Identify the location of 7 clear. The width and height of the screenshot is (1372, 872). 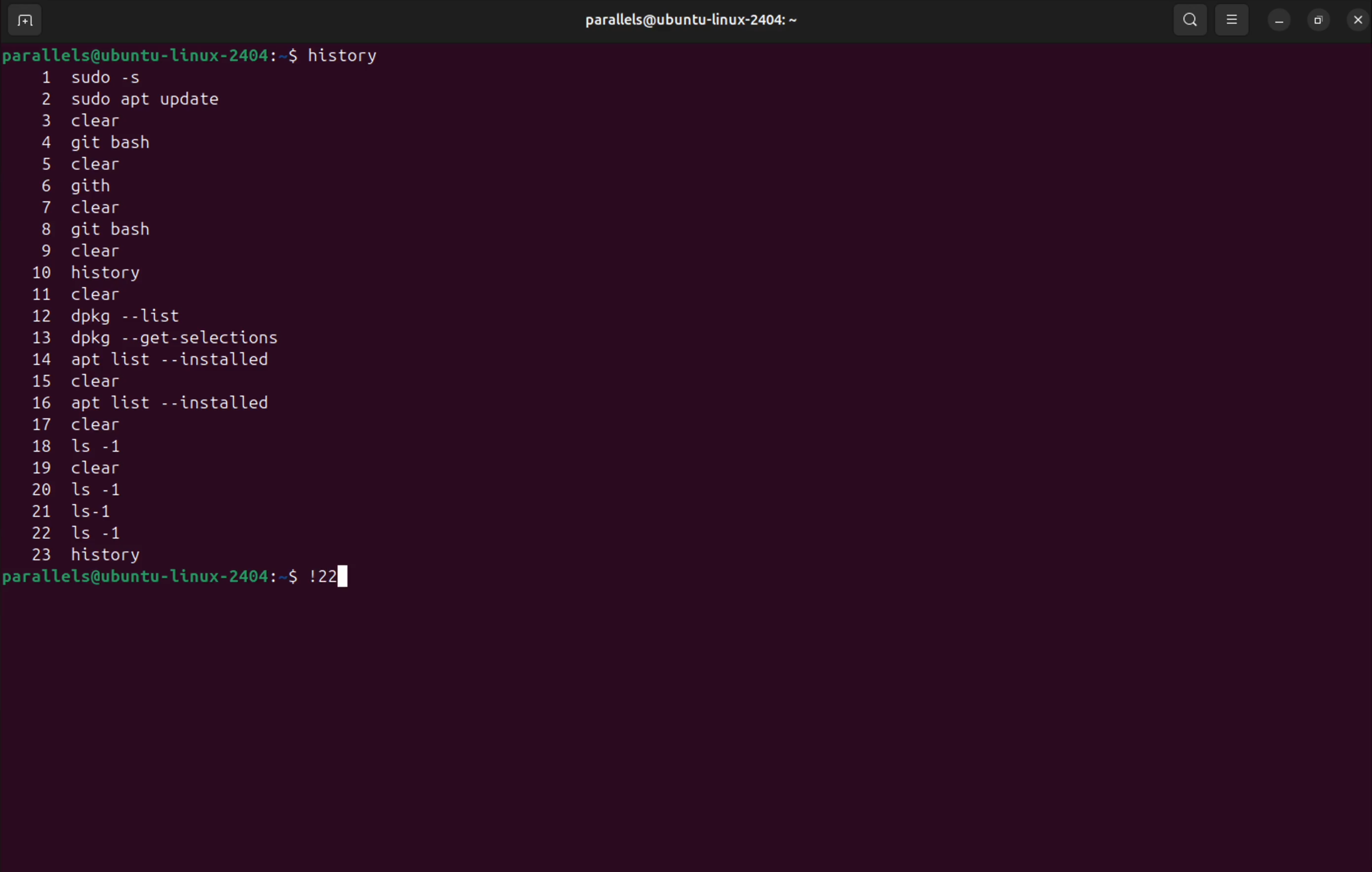
(93, 208).